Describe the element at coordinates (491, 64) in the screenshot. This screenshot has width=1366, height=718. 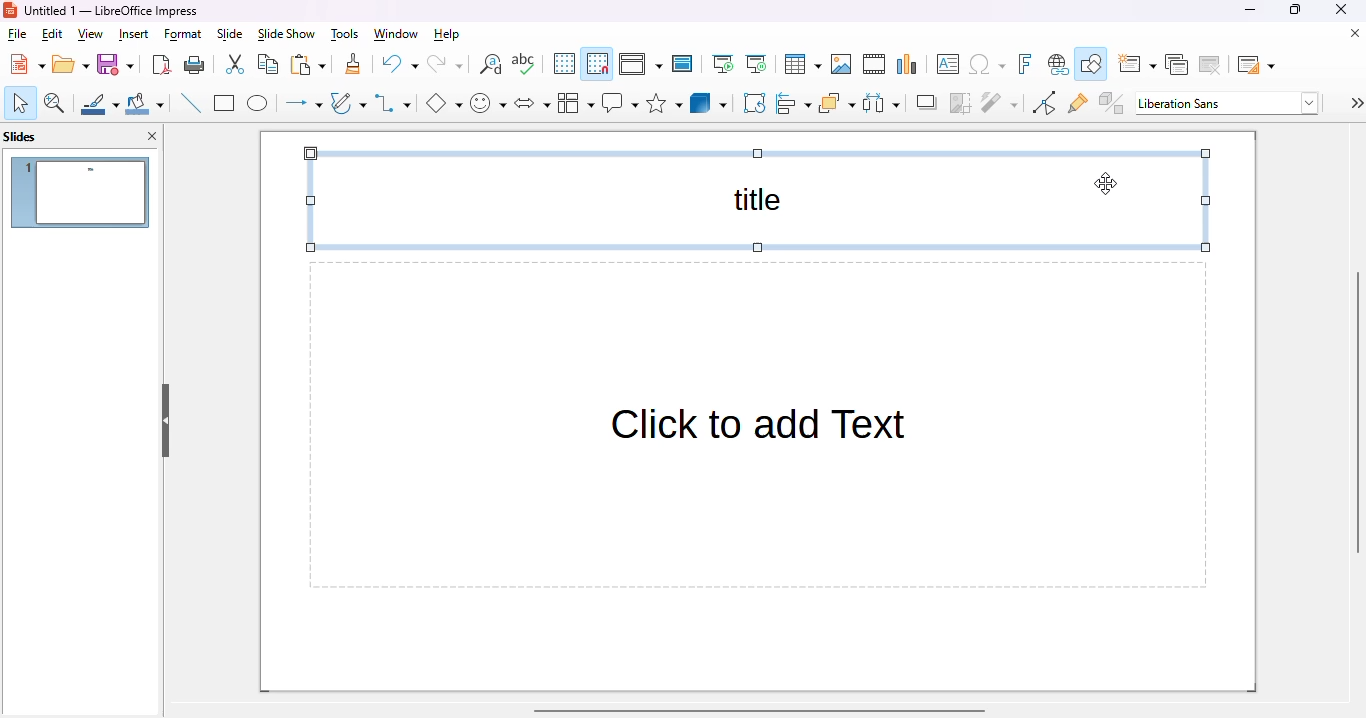
I see `find and replace` at that location.